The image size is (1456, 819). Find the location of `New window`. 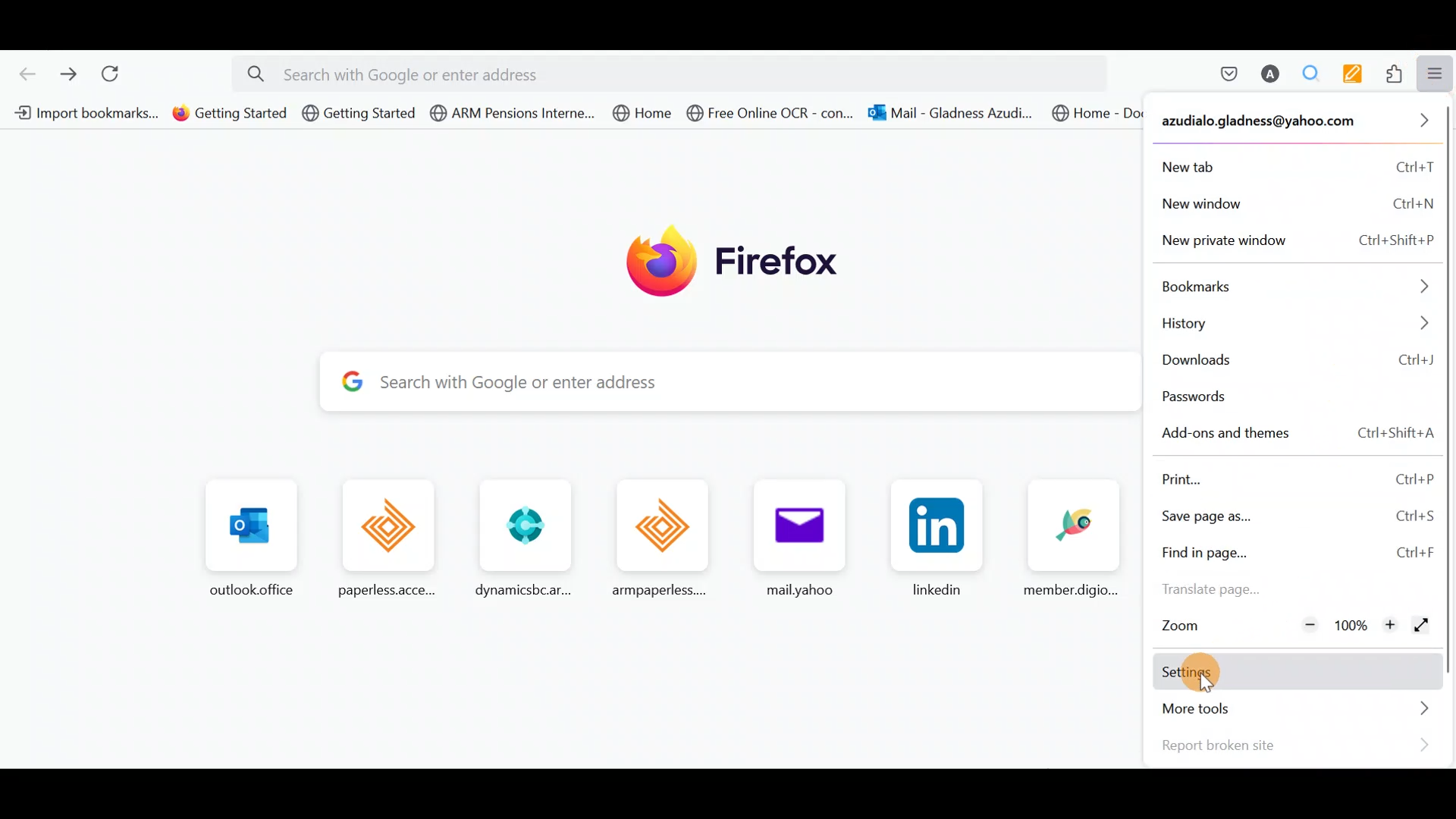

New window is located at coordinates (1277, 205).